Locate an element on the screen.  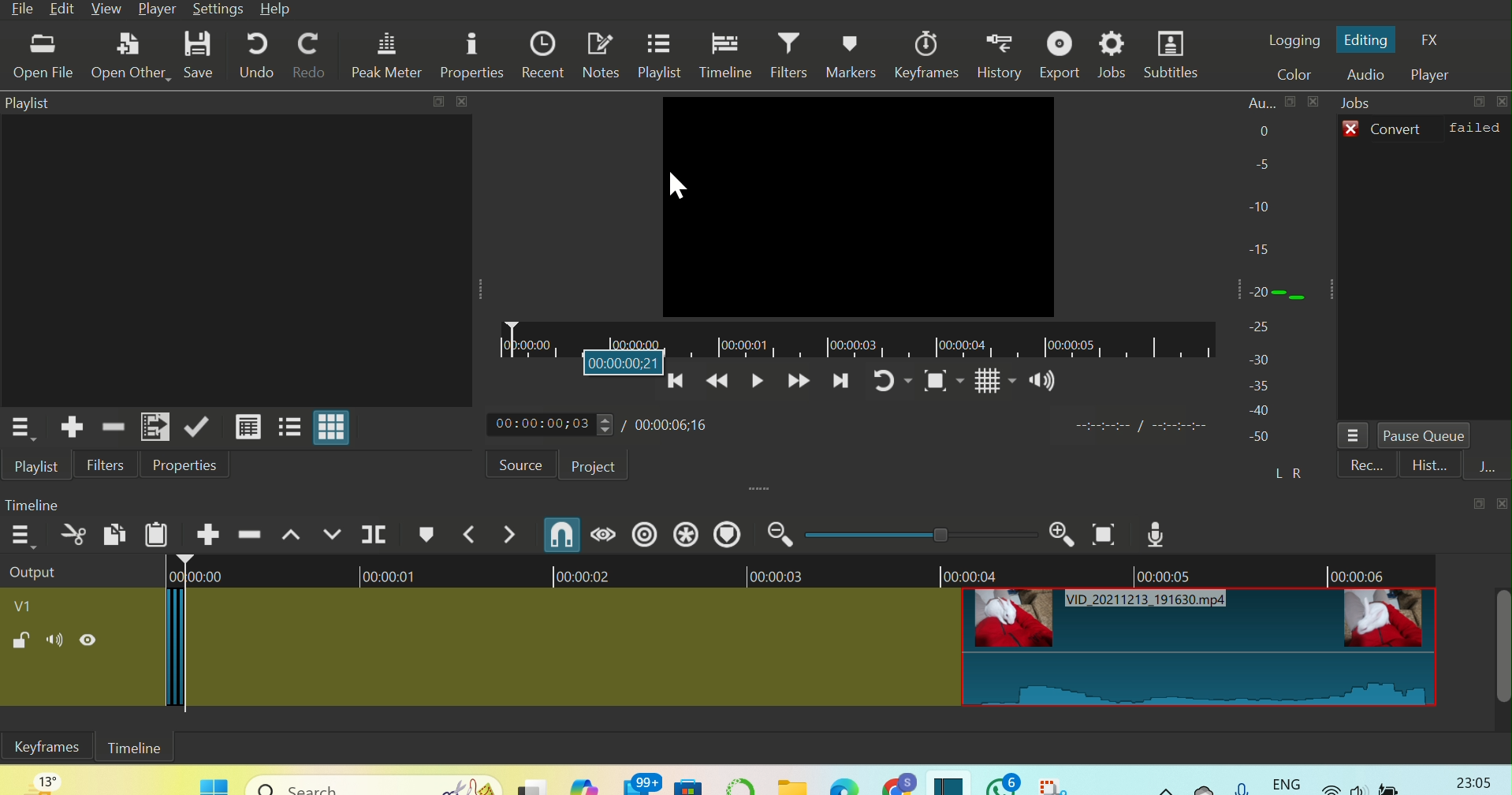
Option is located at coordinates (25, 427).